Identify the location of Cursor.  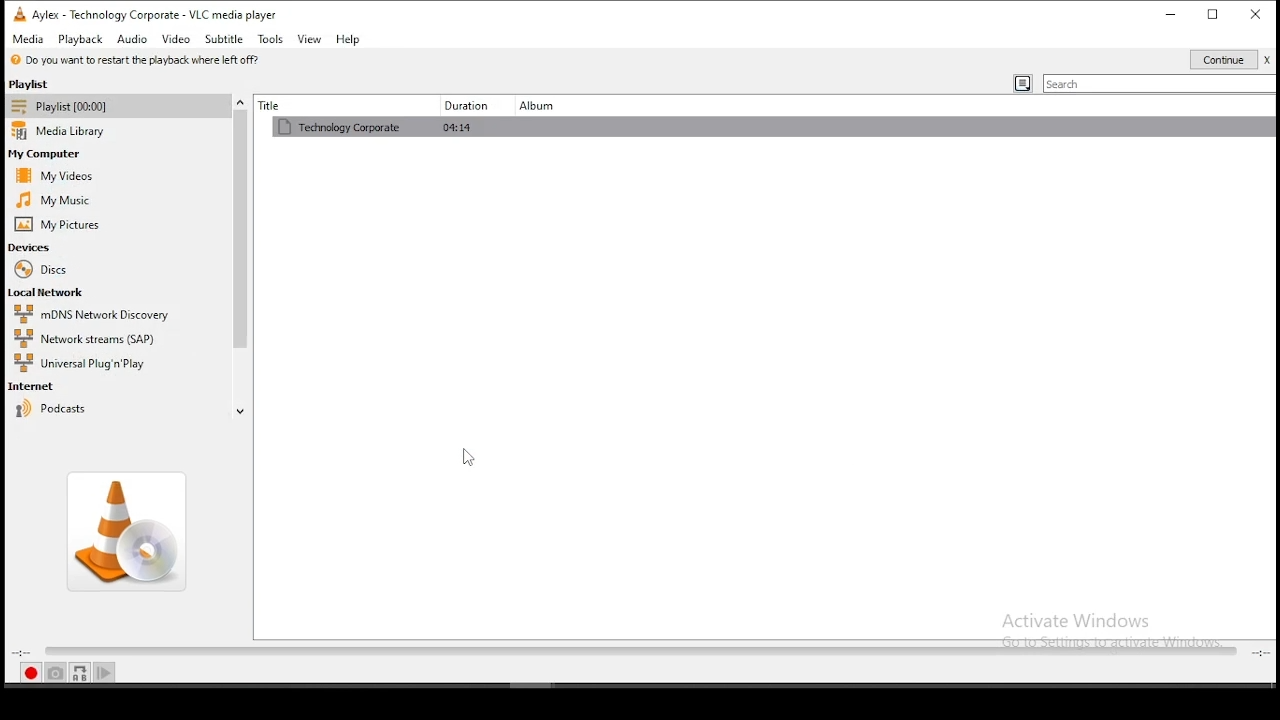
(469, 457).